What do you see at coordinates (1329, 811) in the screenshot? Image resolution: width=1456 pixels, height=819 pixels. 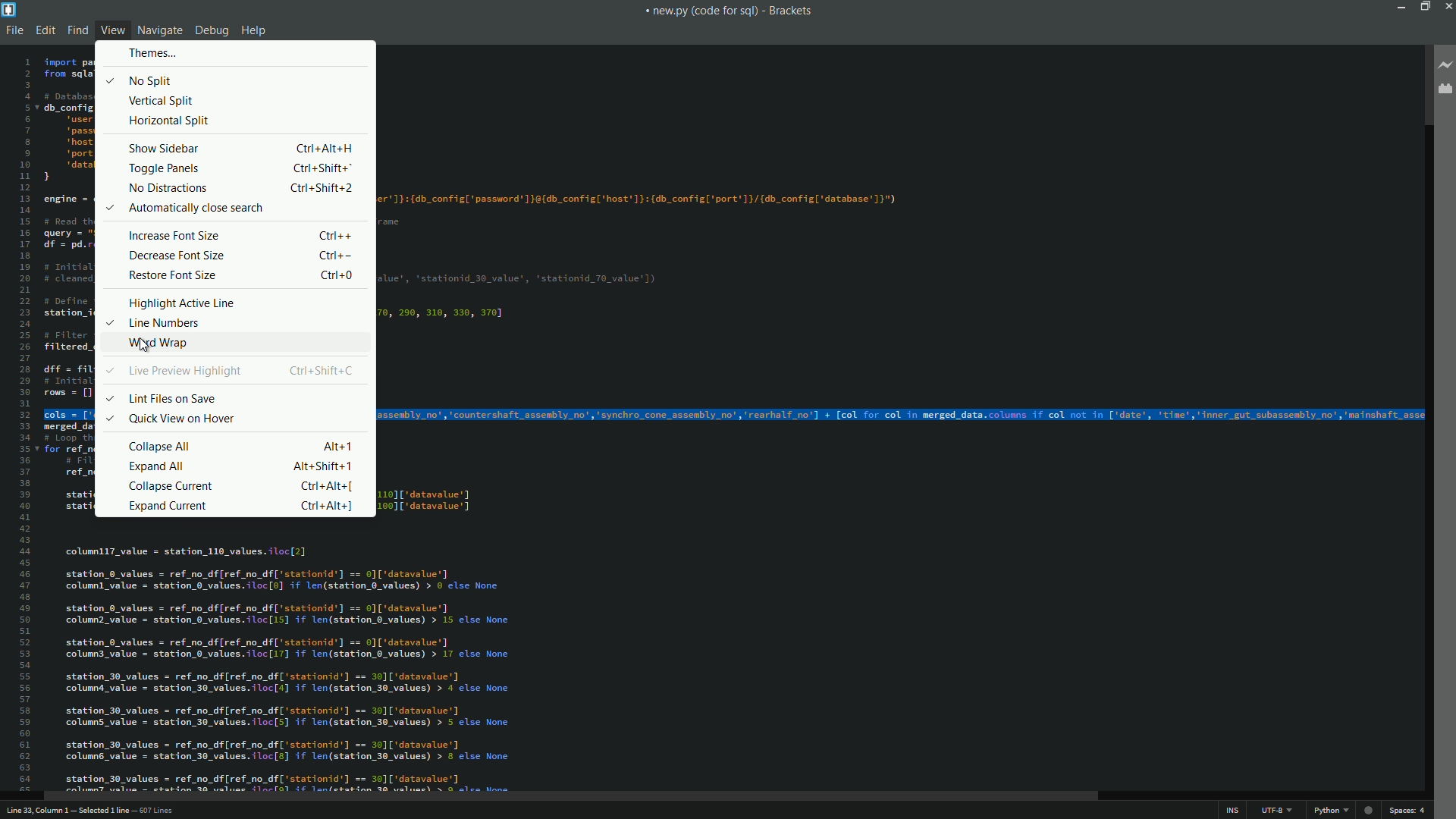 I see `file format` at bounding box center [1329, 811].